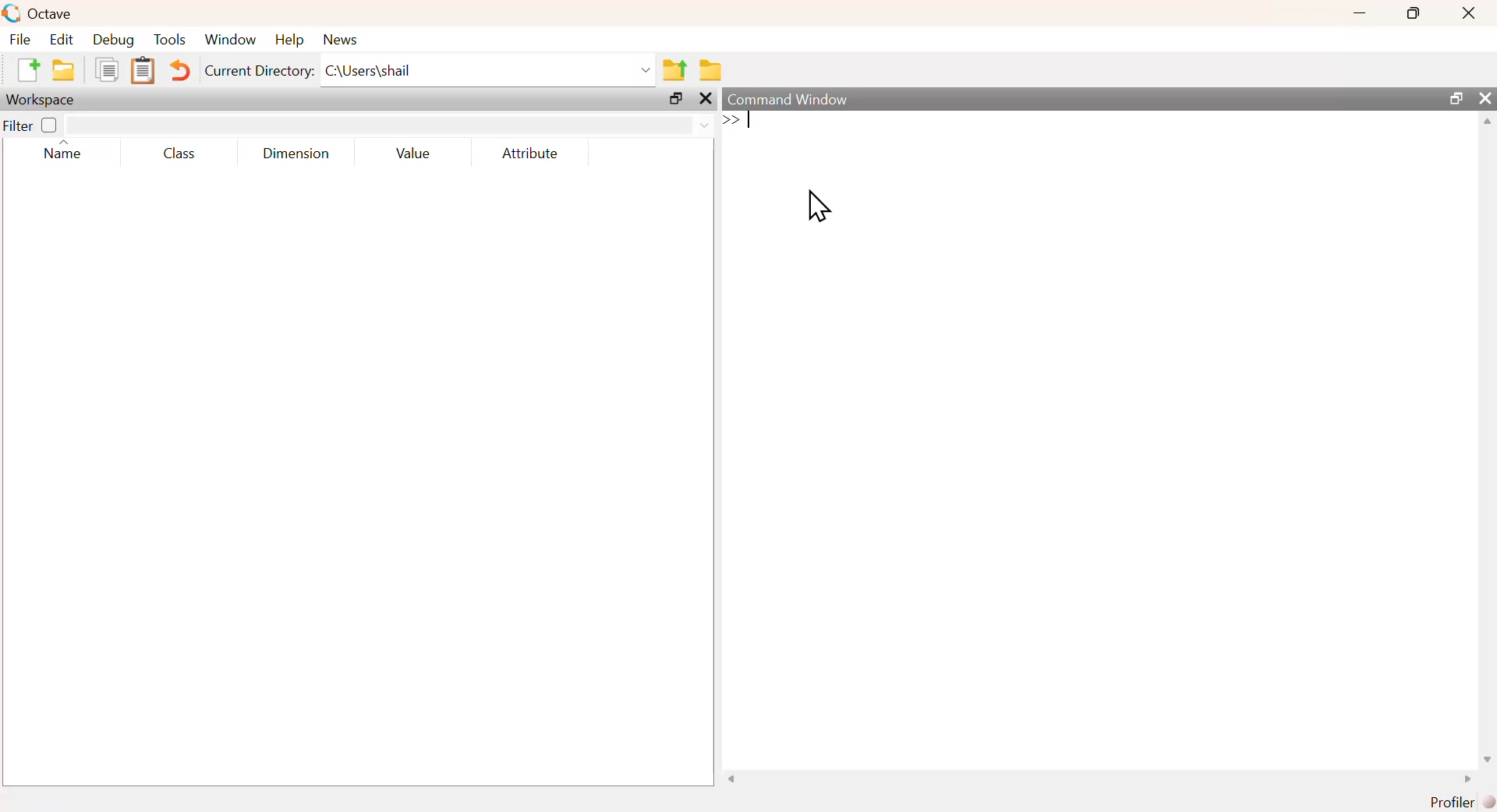  What do you see at coordinates (12, 14) in the screenshot?
I see `Logo` at bounding box center [12, 14].